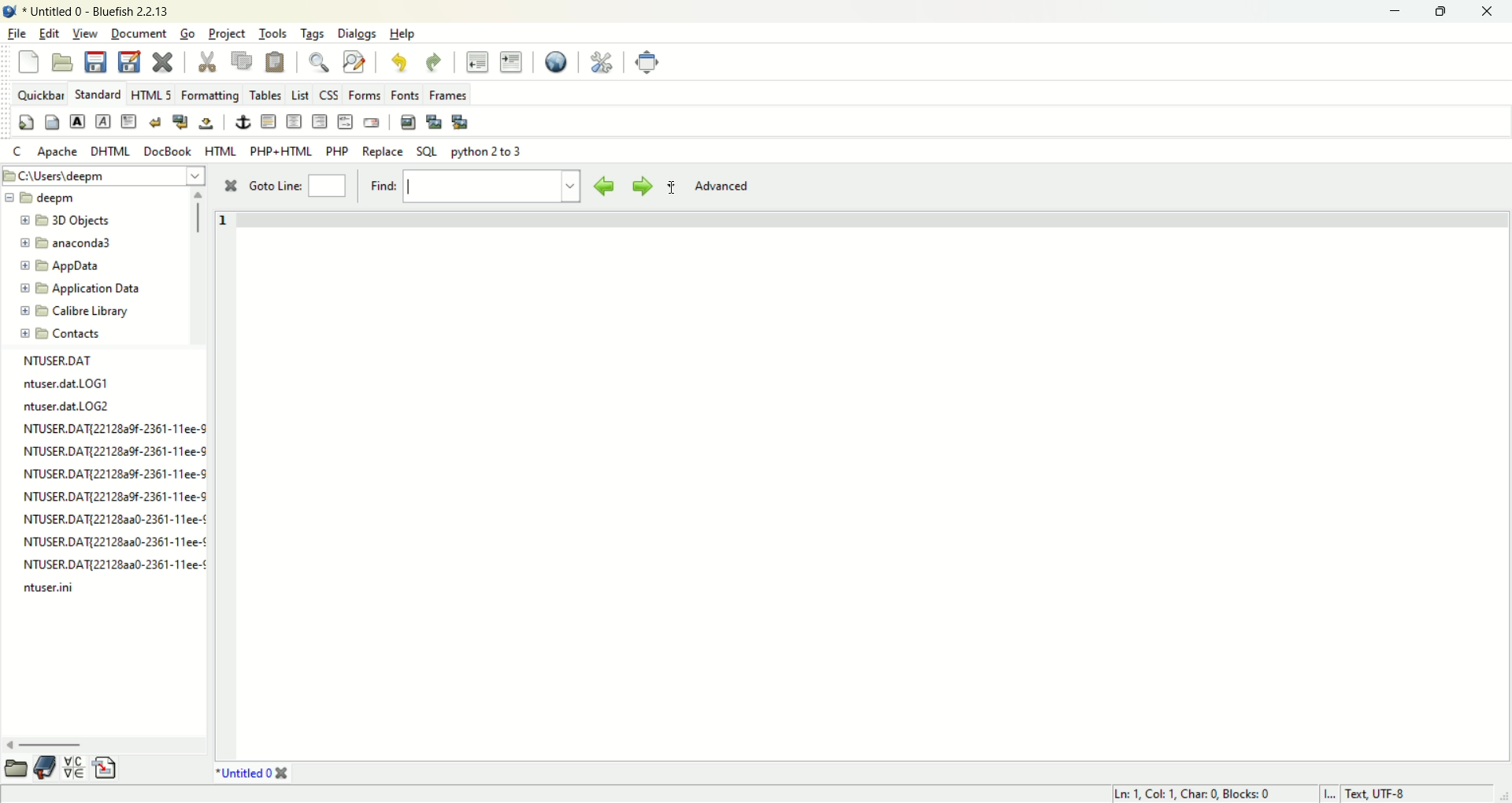 The image size is (1512, 803). Describe the element at coordinates (17, 151) in the screenshot. I see `C` at that location.